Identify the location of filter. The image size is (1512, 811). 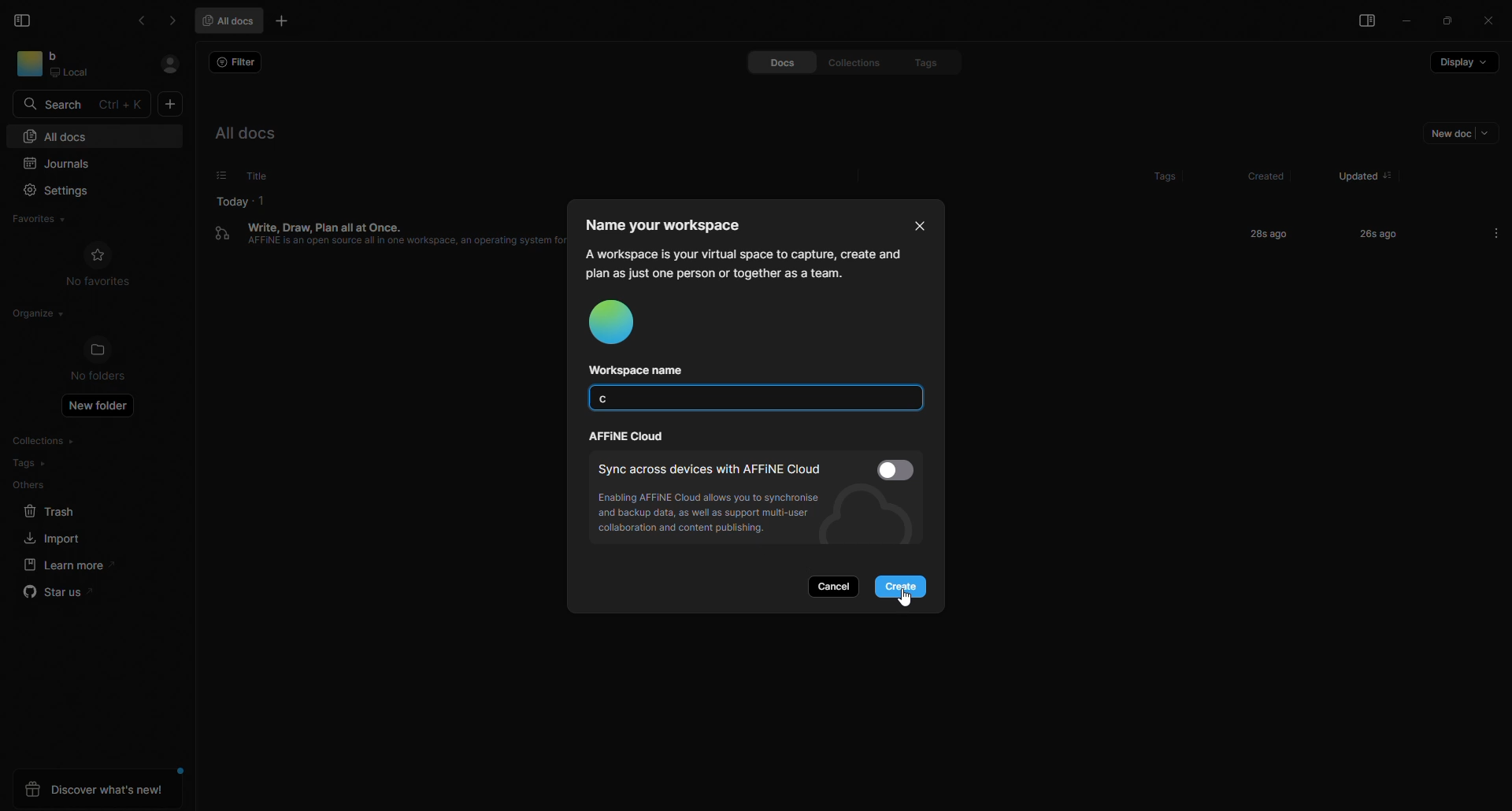
(238, 63).